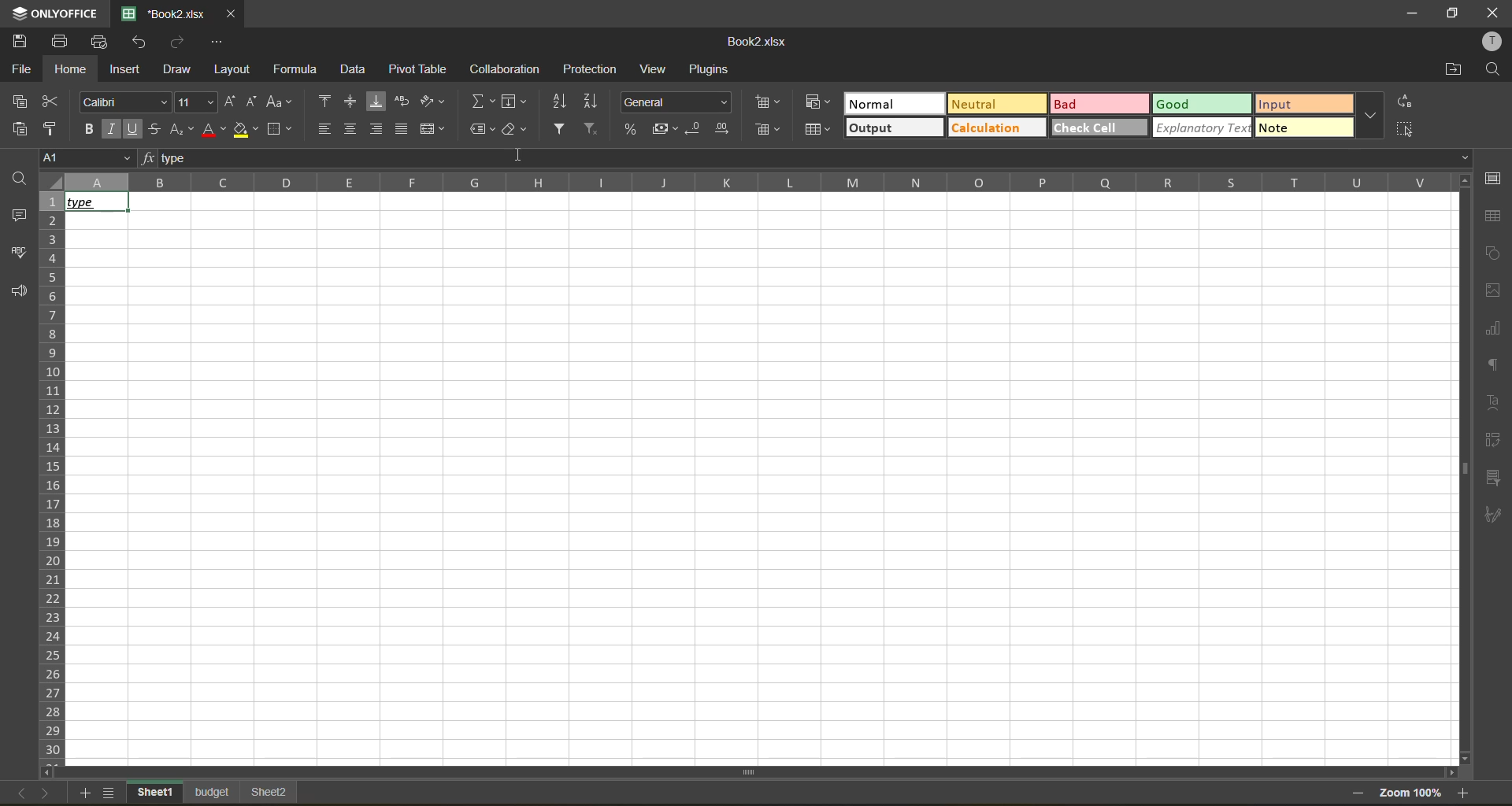 Image resolution: width=1512 pixels, height=806 pixels. Describe the element at coordinates (52, 102) in the screenshot. I see `cut` at that location.